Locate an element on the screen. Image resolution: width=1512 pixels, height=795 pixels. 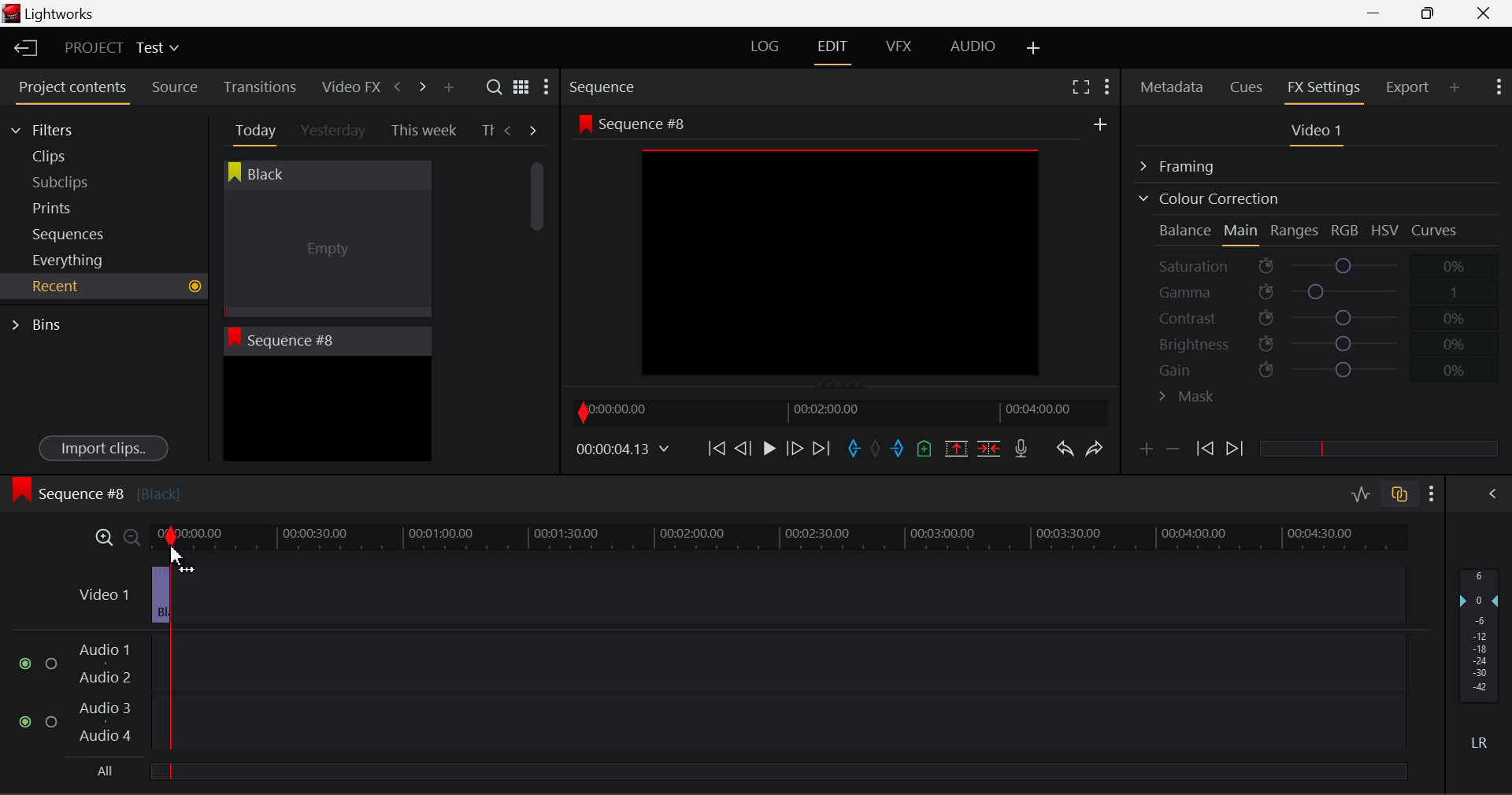
This week Tab is located at coordinates (422, 131).